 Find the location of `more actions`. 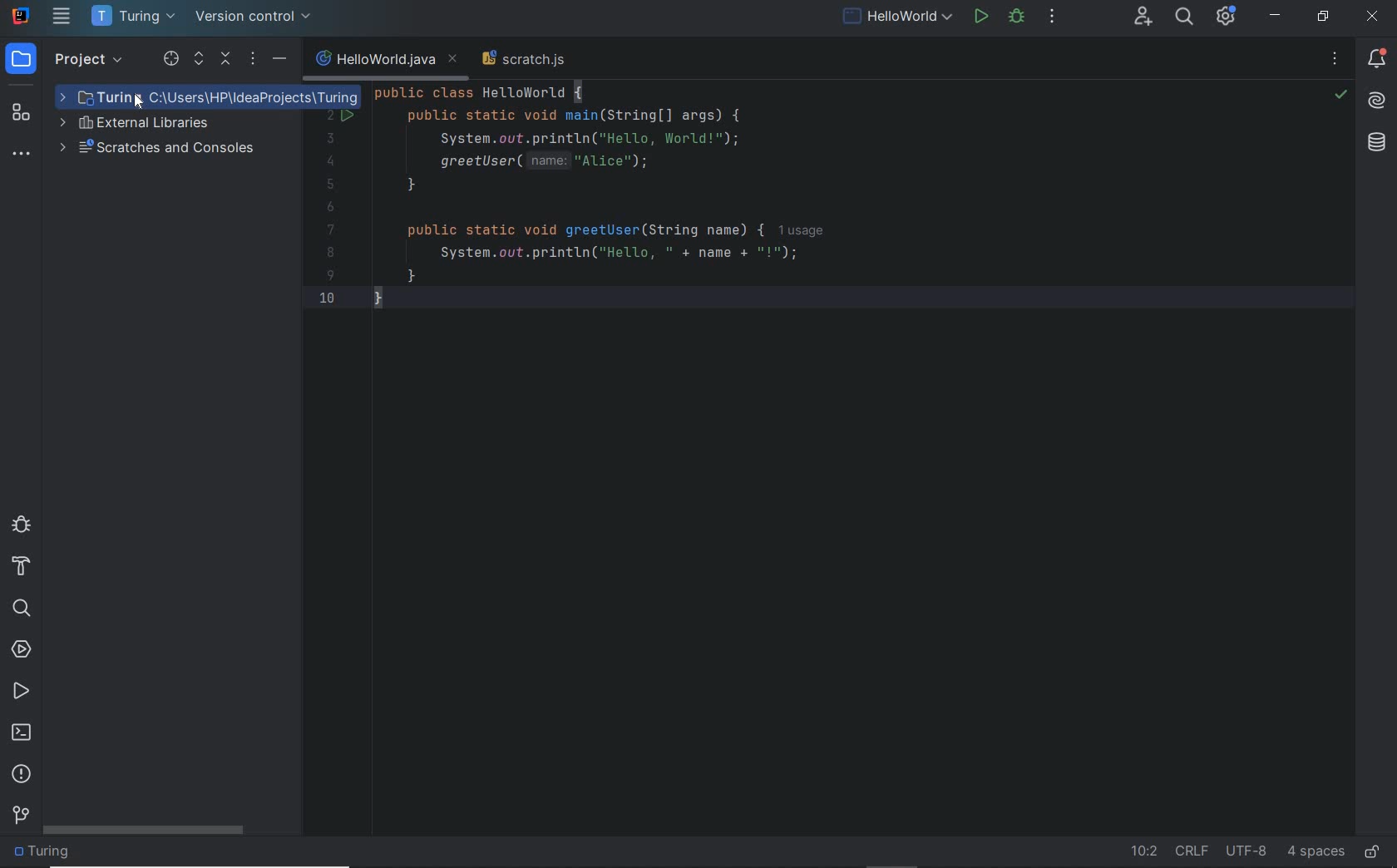

more actions is located at coordinates (1054, 18).